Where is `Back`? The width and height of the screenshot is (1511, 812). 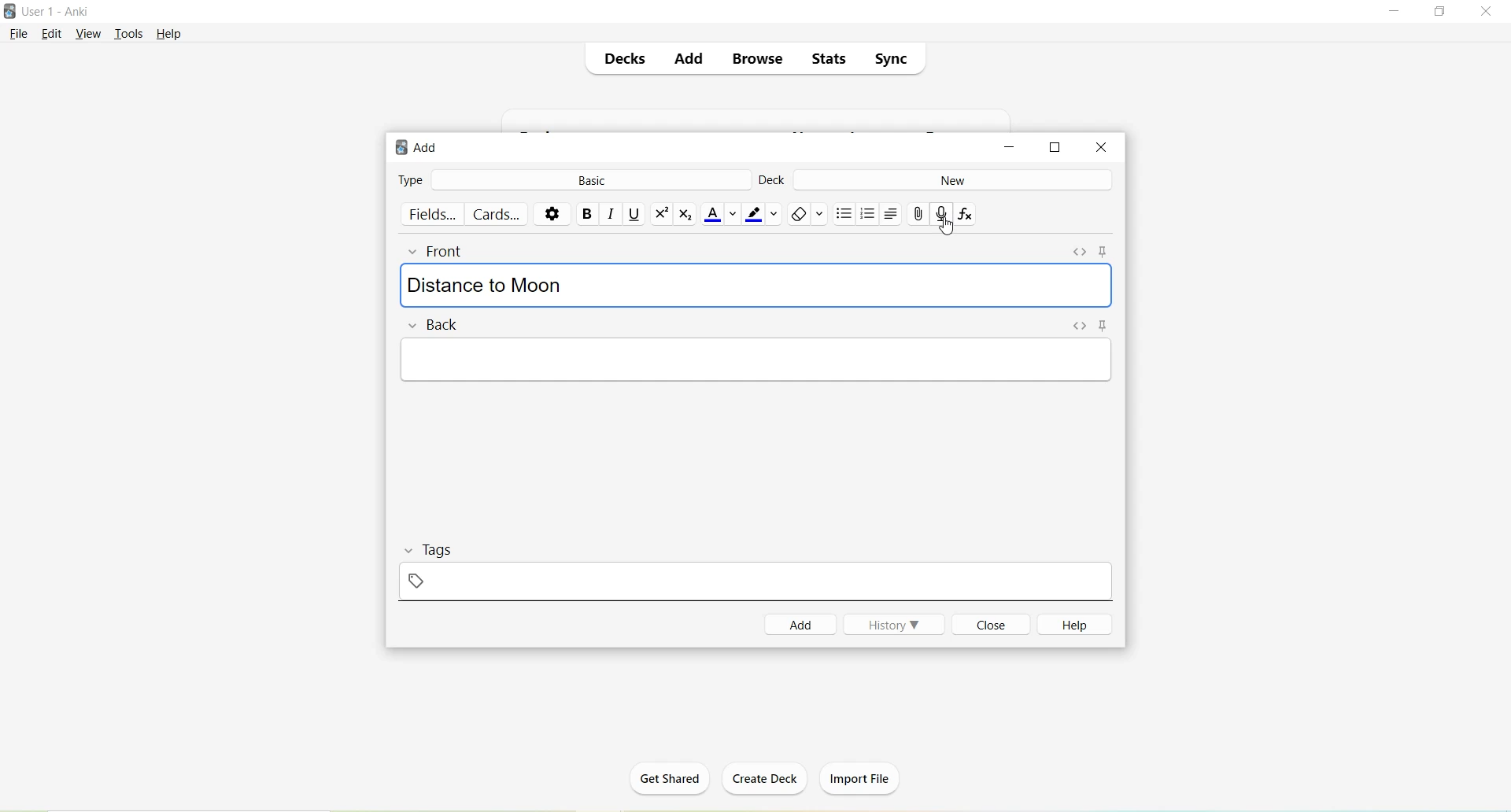 Back is located at coordinates (447, 326).